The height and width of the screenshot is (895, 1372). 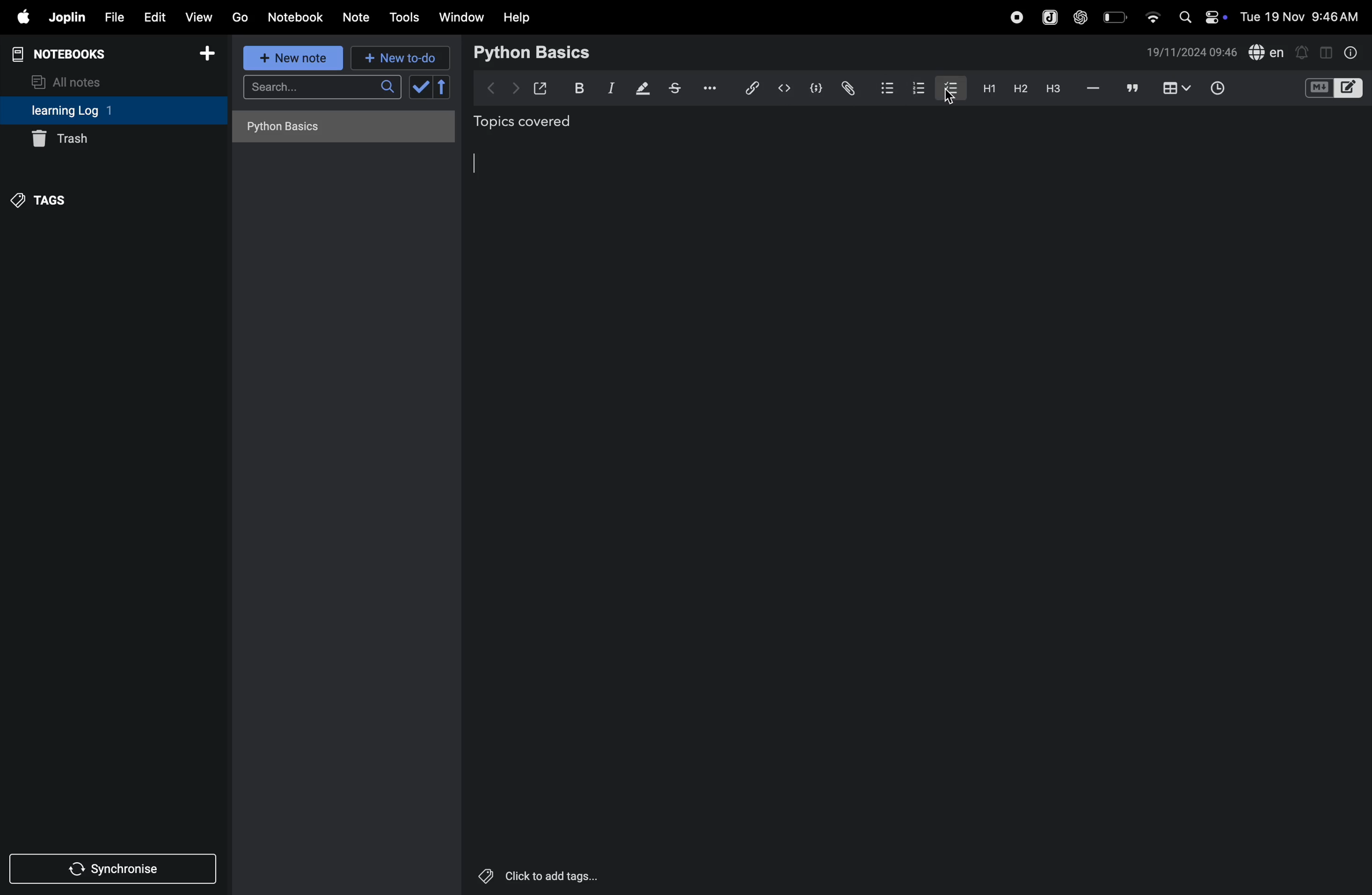 I want to click on spell check, so click(x=1267, y=53).